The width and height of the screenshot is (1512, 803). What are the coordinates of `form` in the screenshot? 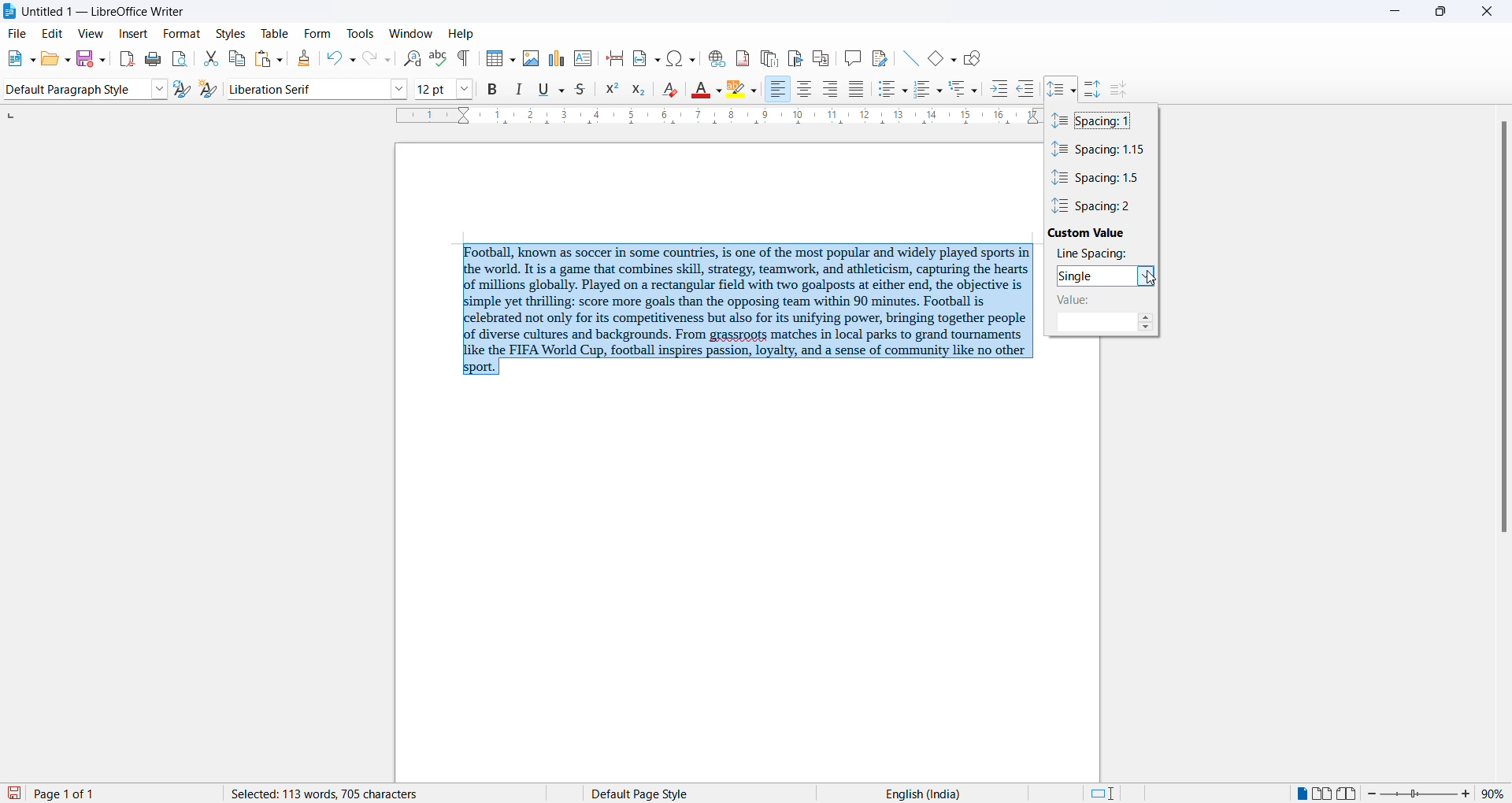 It's located at (315, 33).